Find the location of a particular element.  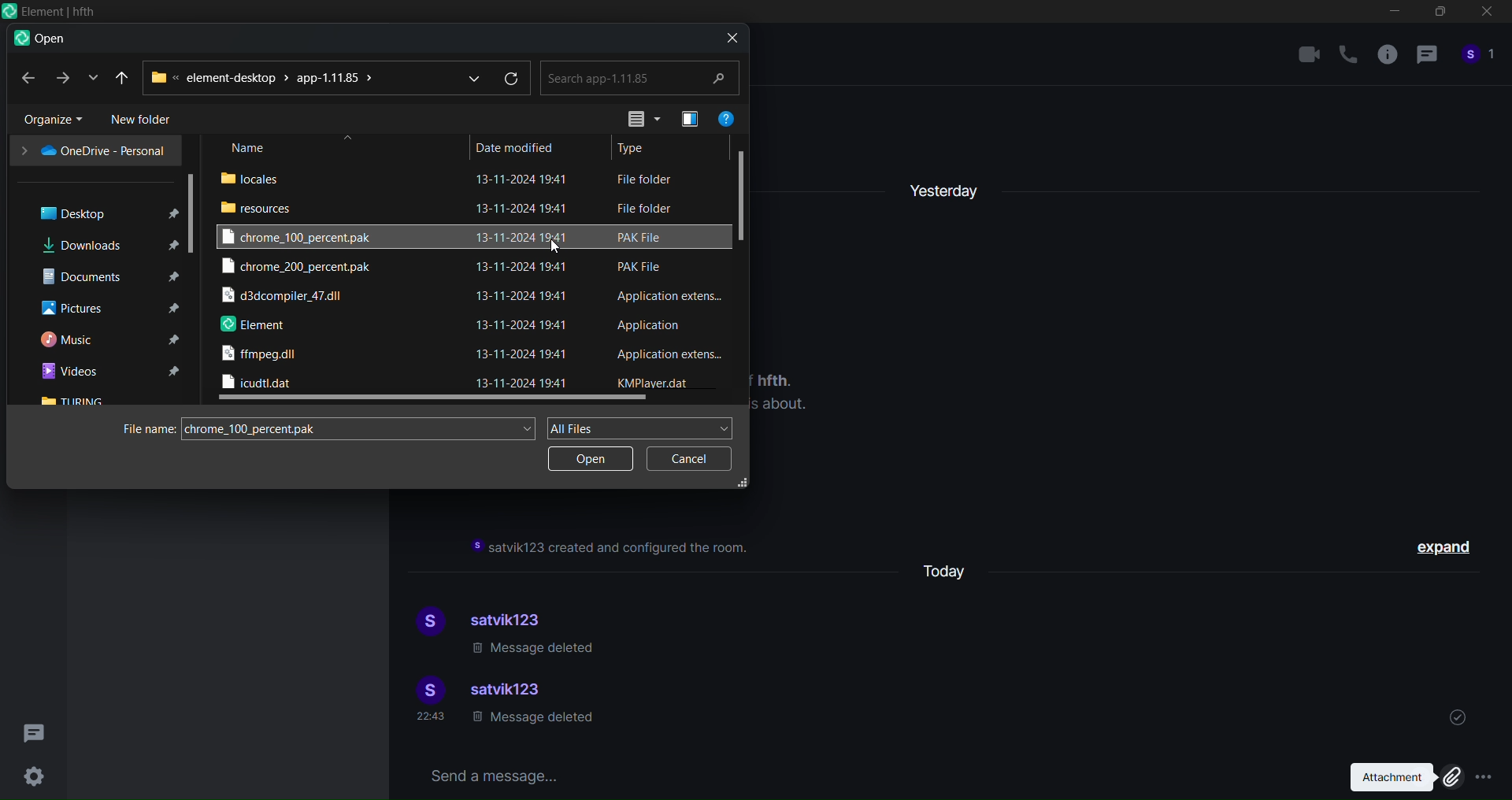

type is located at coordinates (637, 148).